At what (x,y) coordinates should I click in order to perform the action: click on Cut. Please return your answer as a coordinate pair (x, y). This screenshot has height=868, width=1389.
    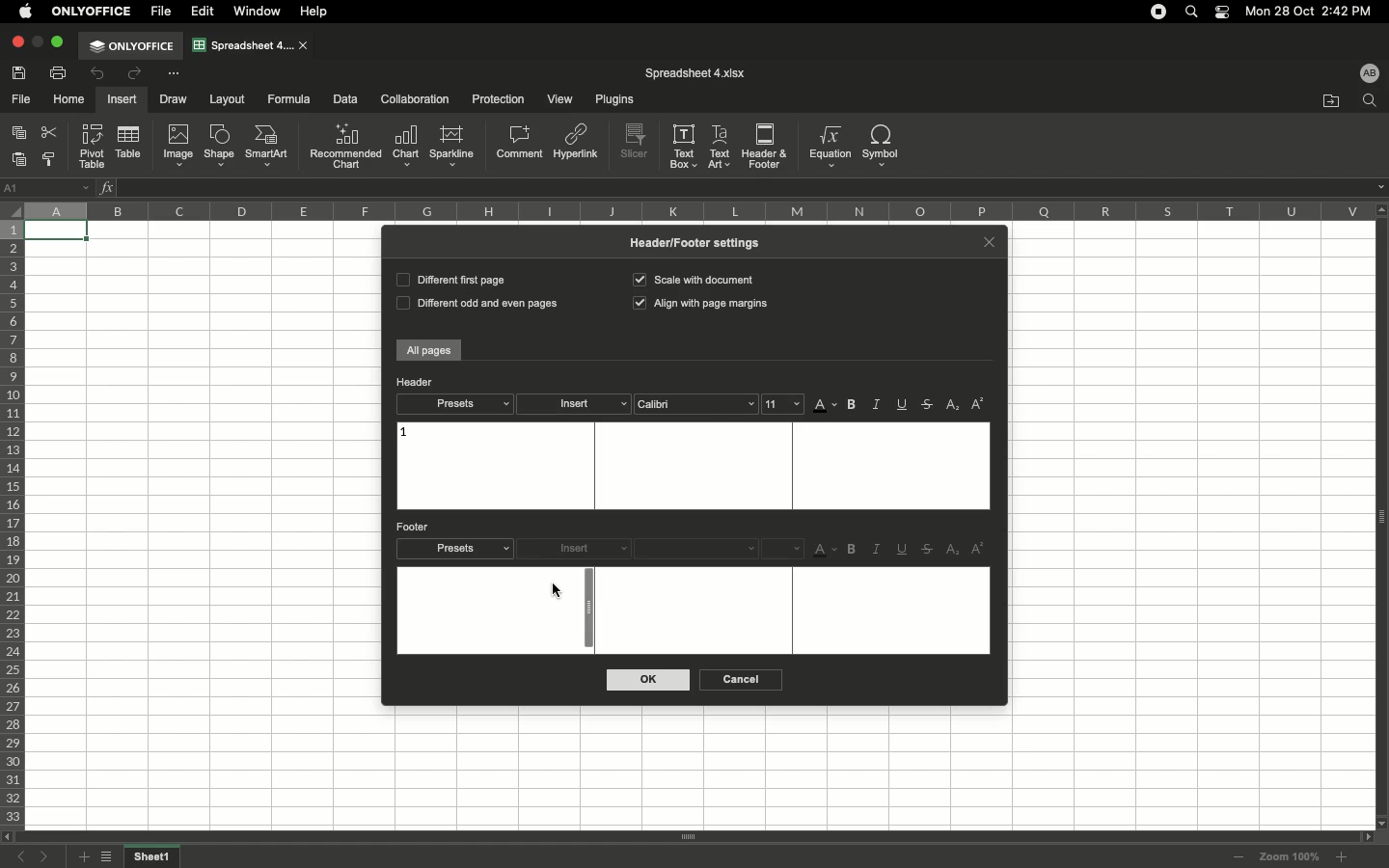
    Looking at the image, I should click on (51, 132).